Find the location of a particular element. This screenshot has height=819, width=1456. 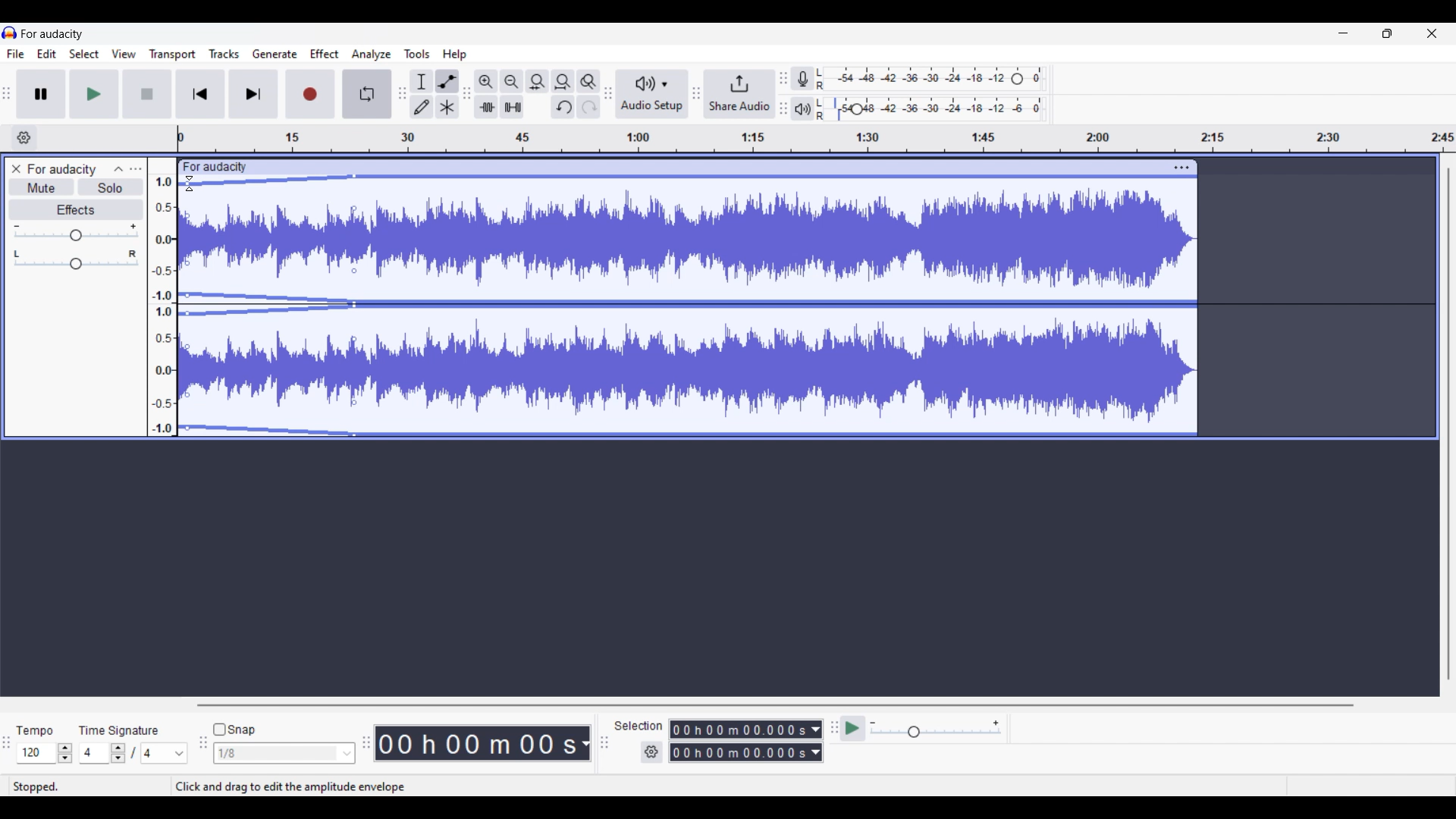

Selection tool is located at coordinates (422, 82).